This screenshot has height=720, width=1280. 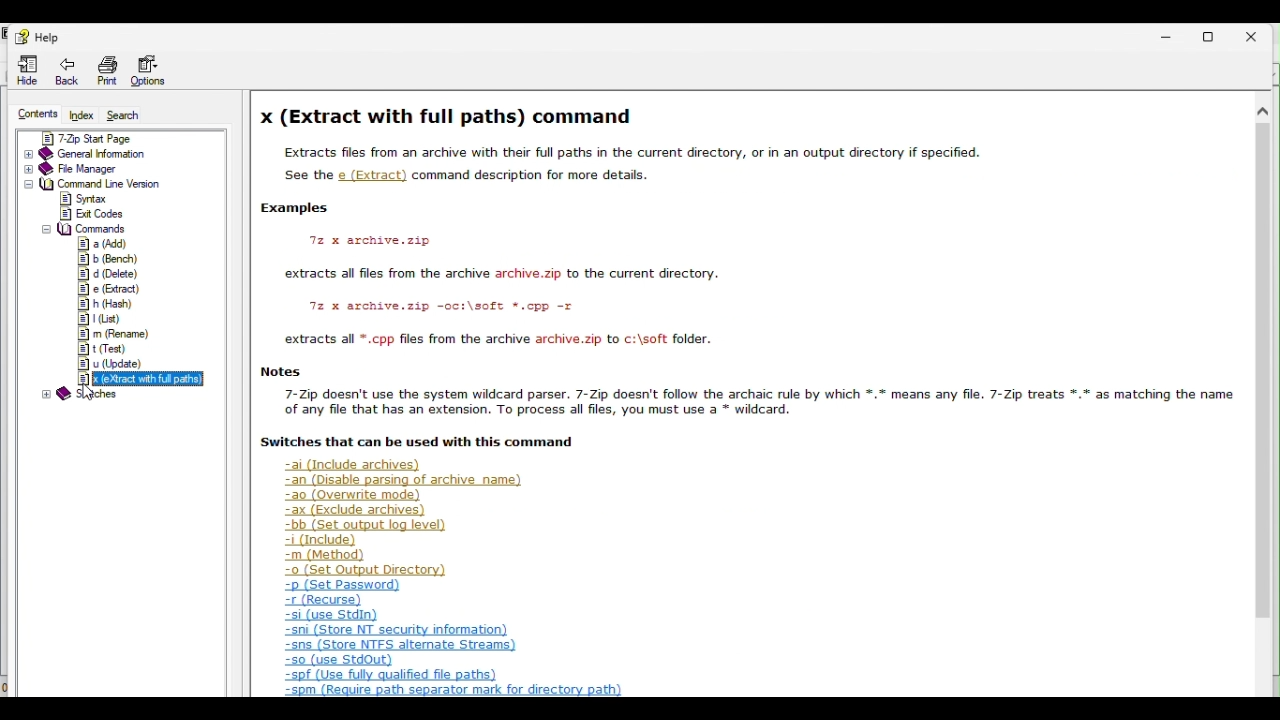 What do you see at coordinates (403, 480) in the screenshot?
I see `an` at bounding box center [403, 480].